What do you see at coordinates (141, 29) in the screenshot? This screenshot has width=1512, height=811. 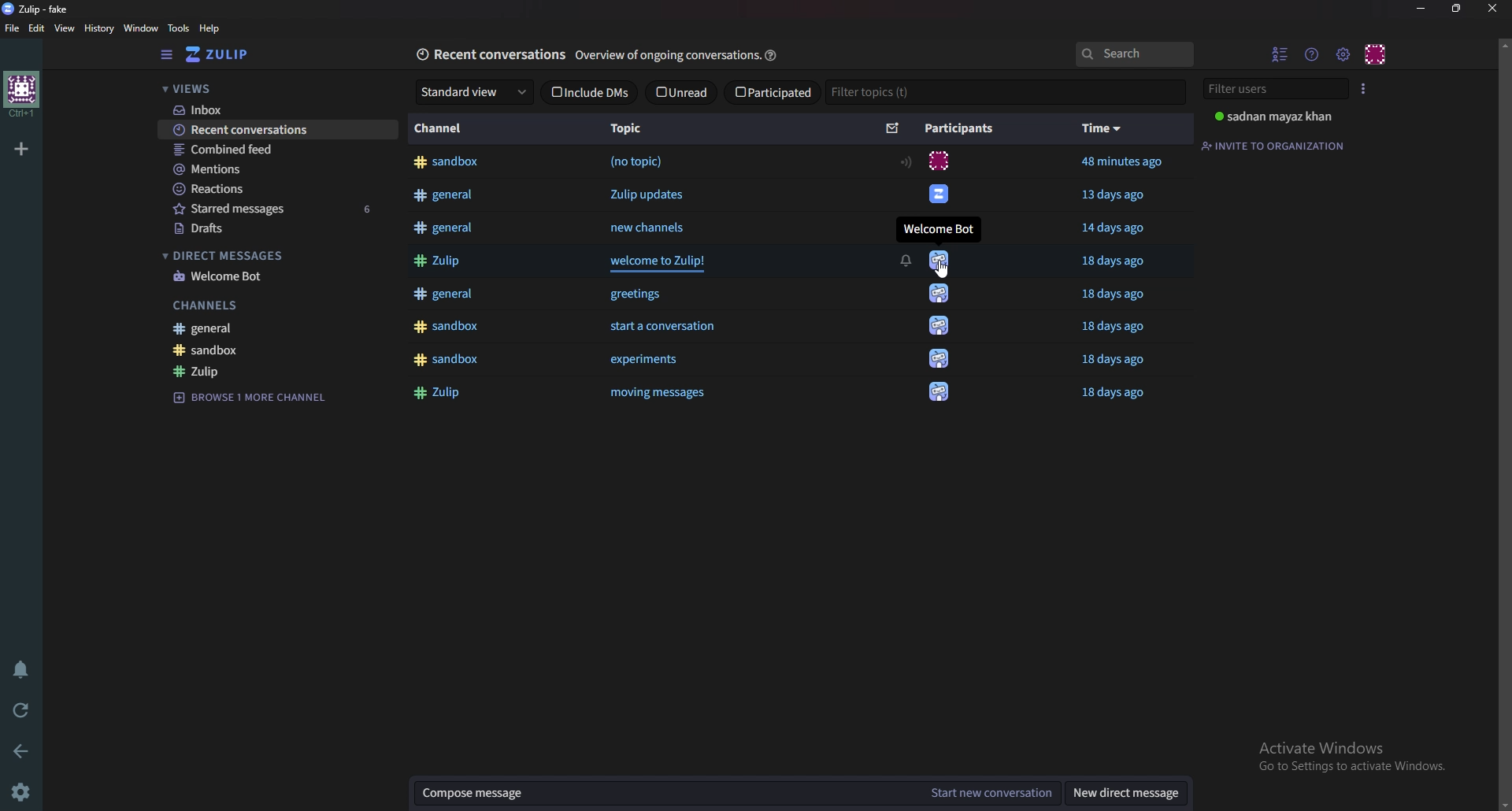 I see `Window` at bounding box center [141, 29].